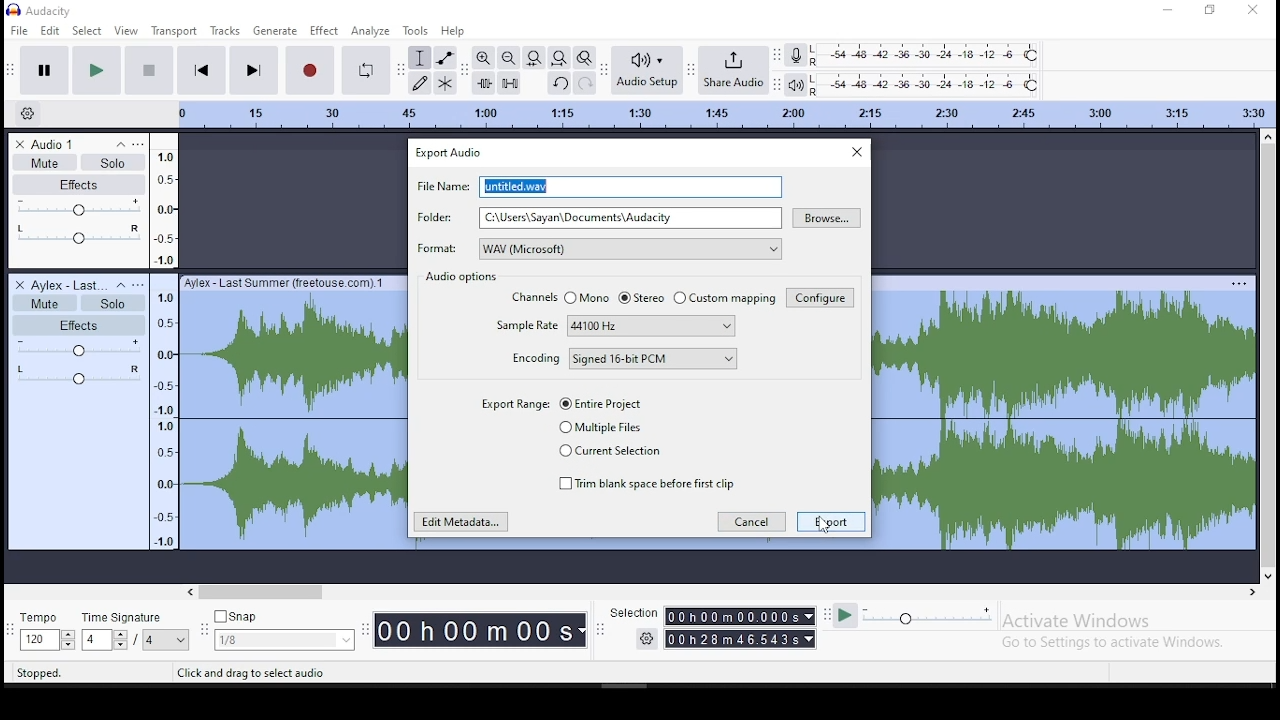 This screenshot has height=720, width=1280. I want to click on format, so click(599, 249).